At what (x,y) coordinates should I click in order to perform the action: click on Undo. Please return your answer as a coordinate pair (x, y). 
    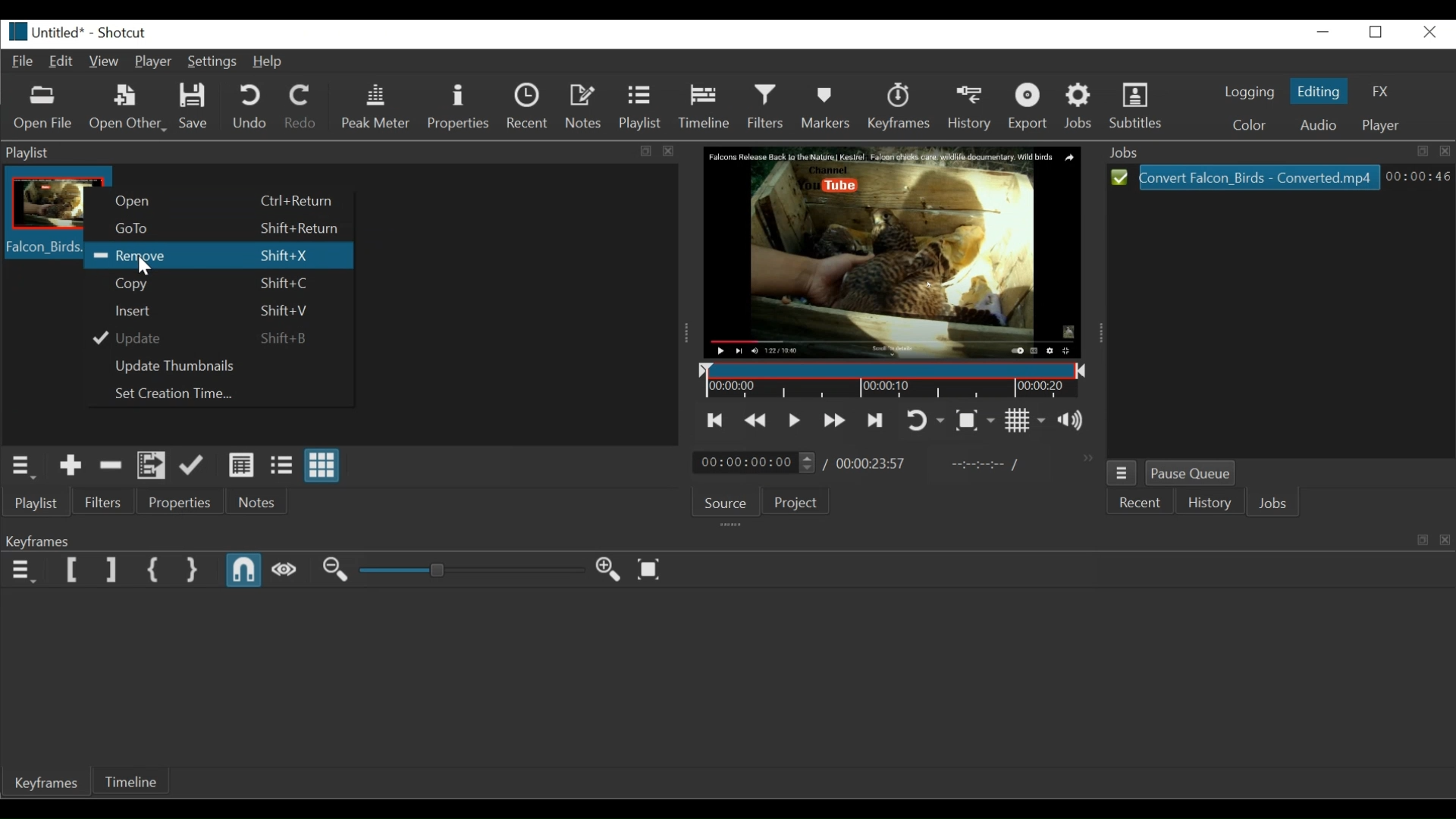
    Looking at the image, I should click on (252, 106).